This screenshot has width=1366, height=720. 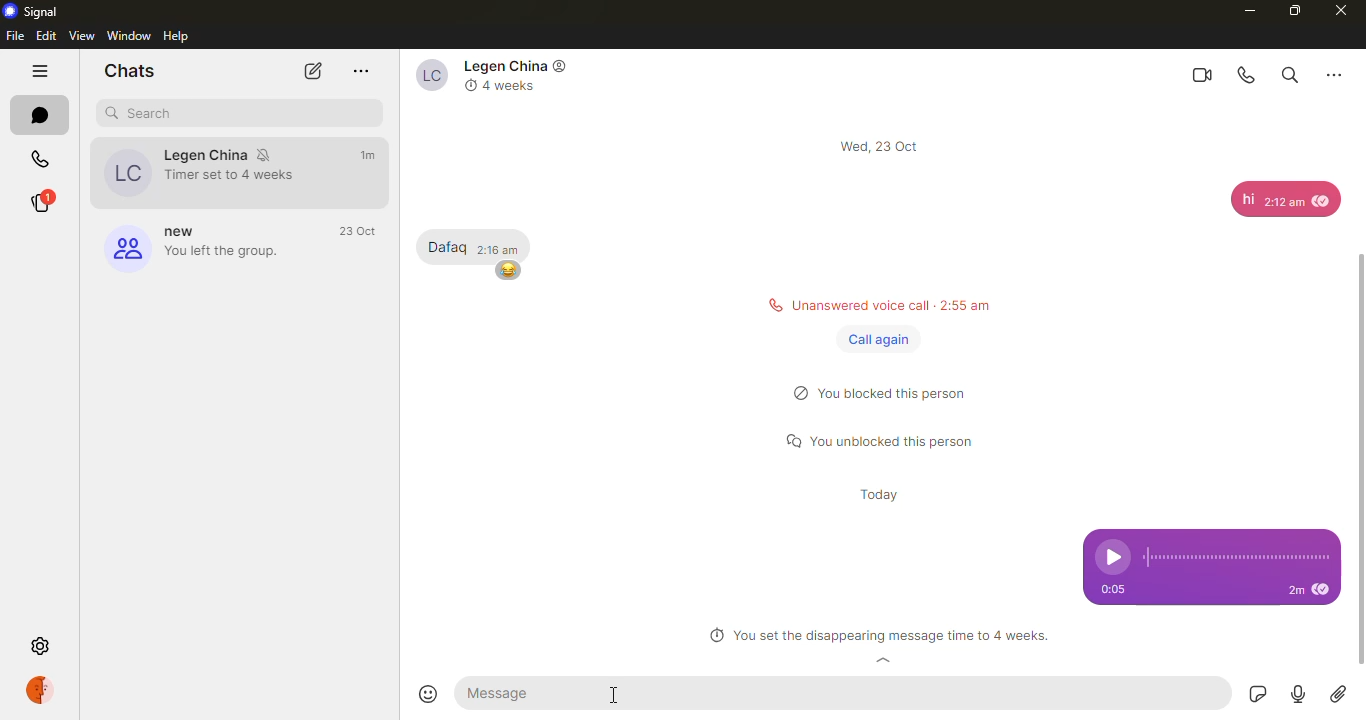 What do you see at coordinates (34, 11) in the screenshot?
I see `signal` at bounding box center [34, 11].